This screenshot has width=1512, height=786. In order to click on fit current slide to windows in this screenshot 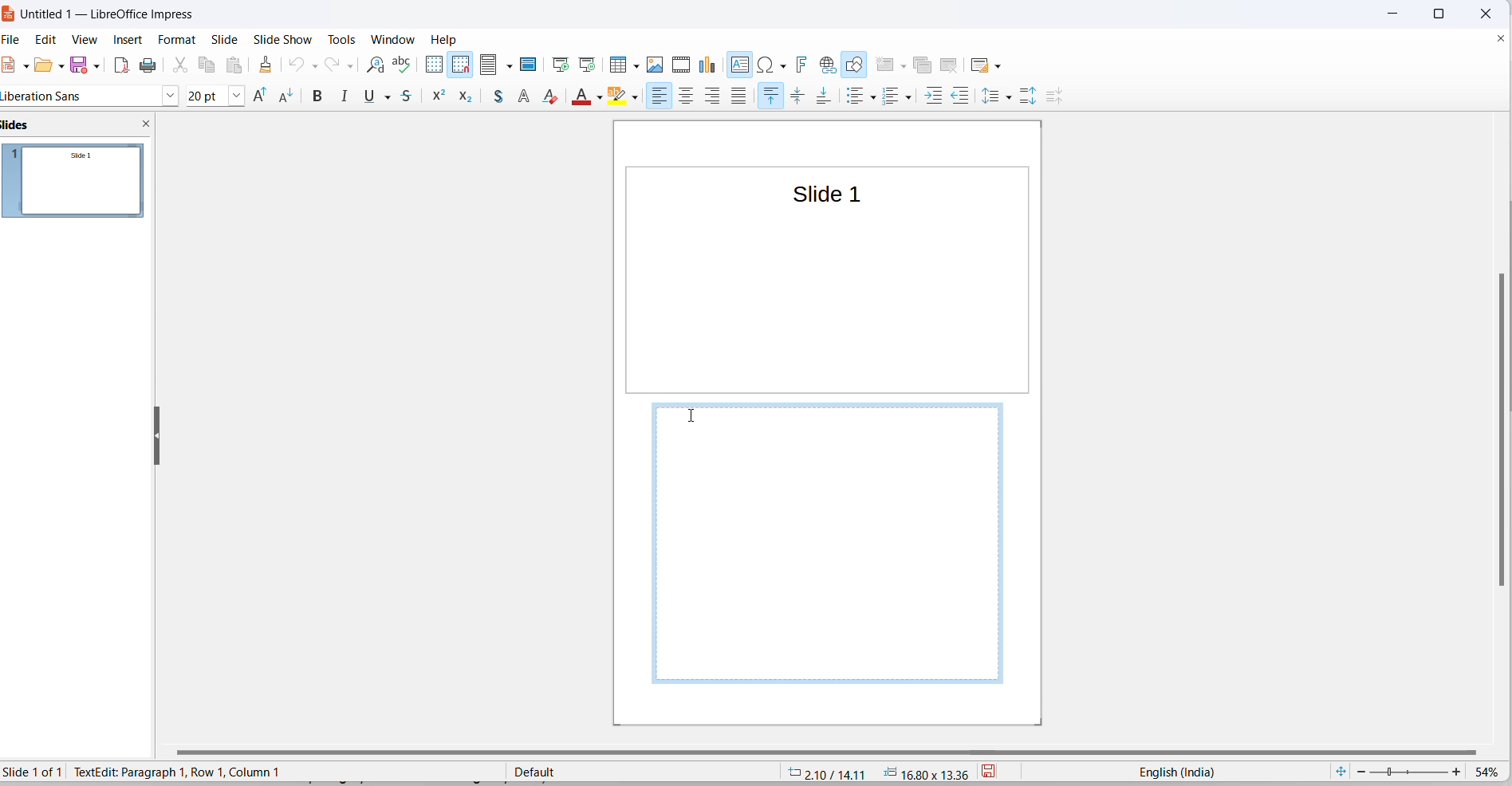, I will do `click(1342, 771)`.